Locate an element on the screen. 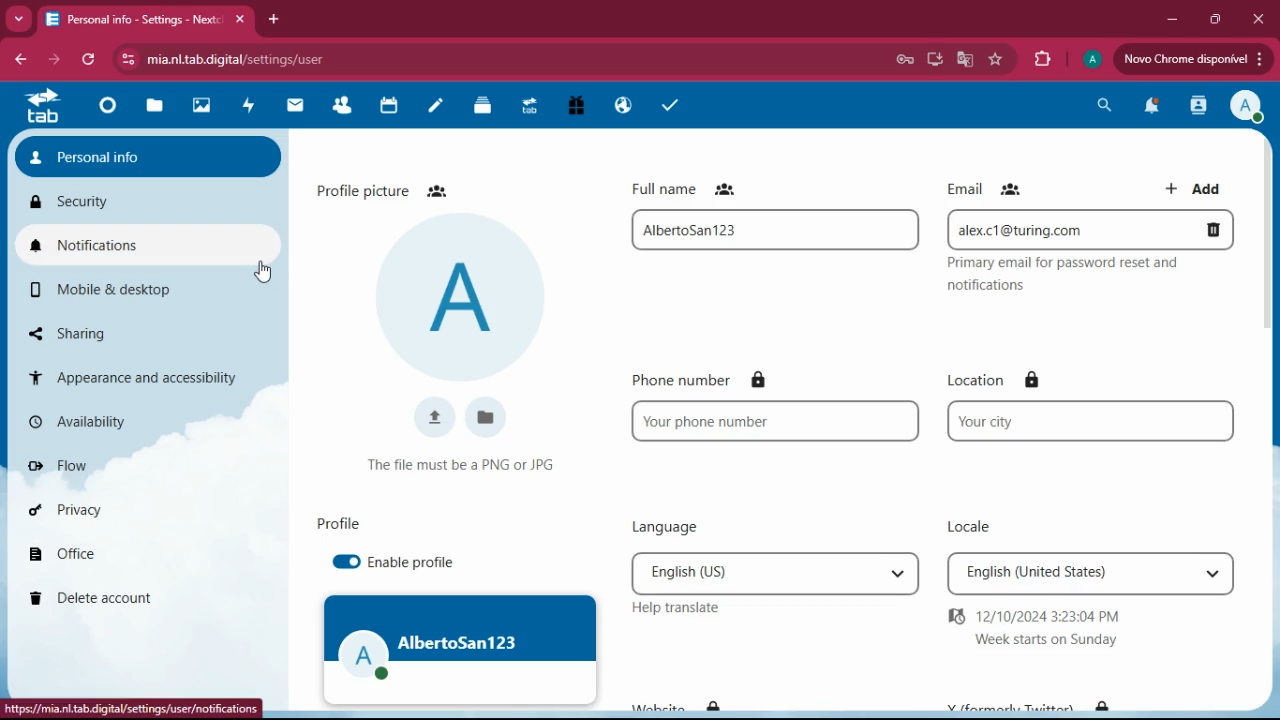 This screenshot has height=720, width=1280. home is located at coordinates (110, 107).